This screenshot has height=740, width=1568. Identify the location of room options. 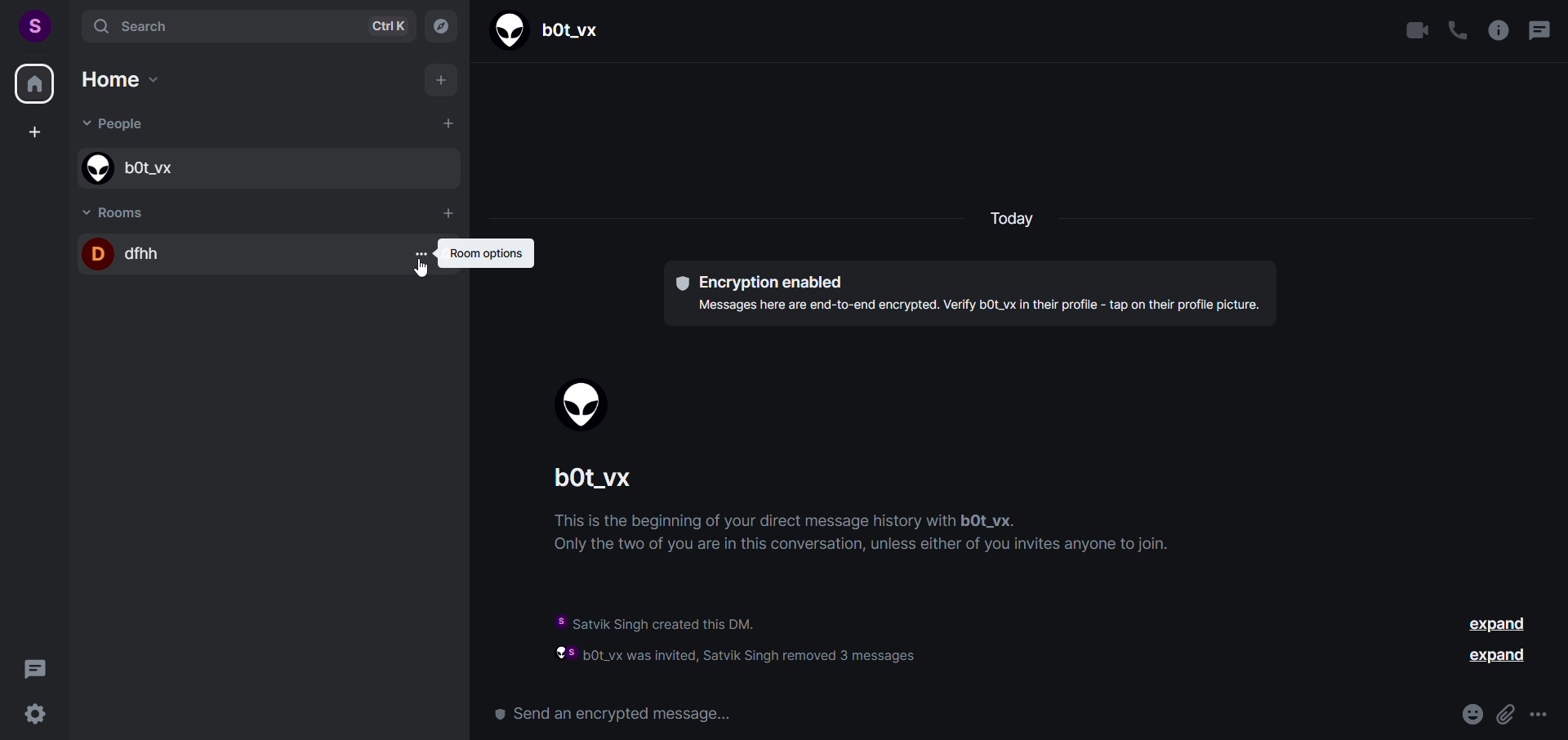
(487, 253).